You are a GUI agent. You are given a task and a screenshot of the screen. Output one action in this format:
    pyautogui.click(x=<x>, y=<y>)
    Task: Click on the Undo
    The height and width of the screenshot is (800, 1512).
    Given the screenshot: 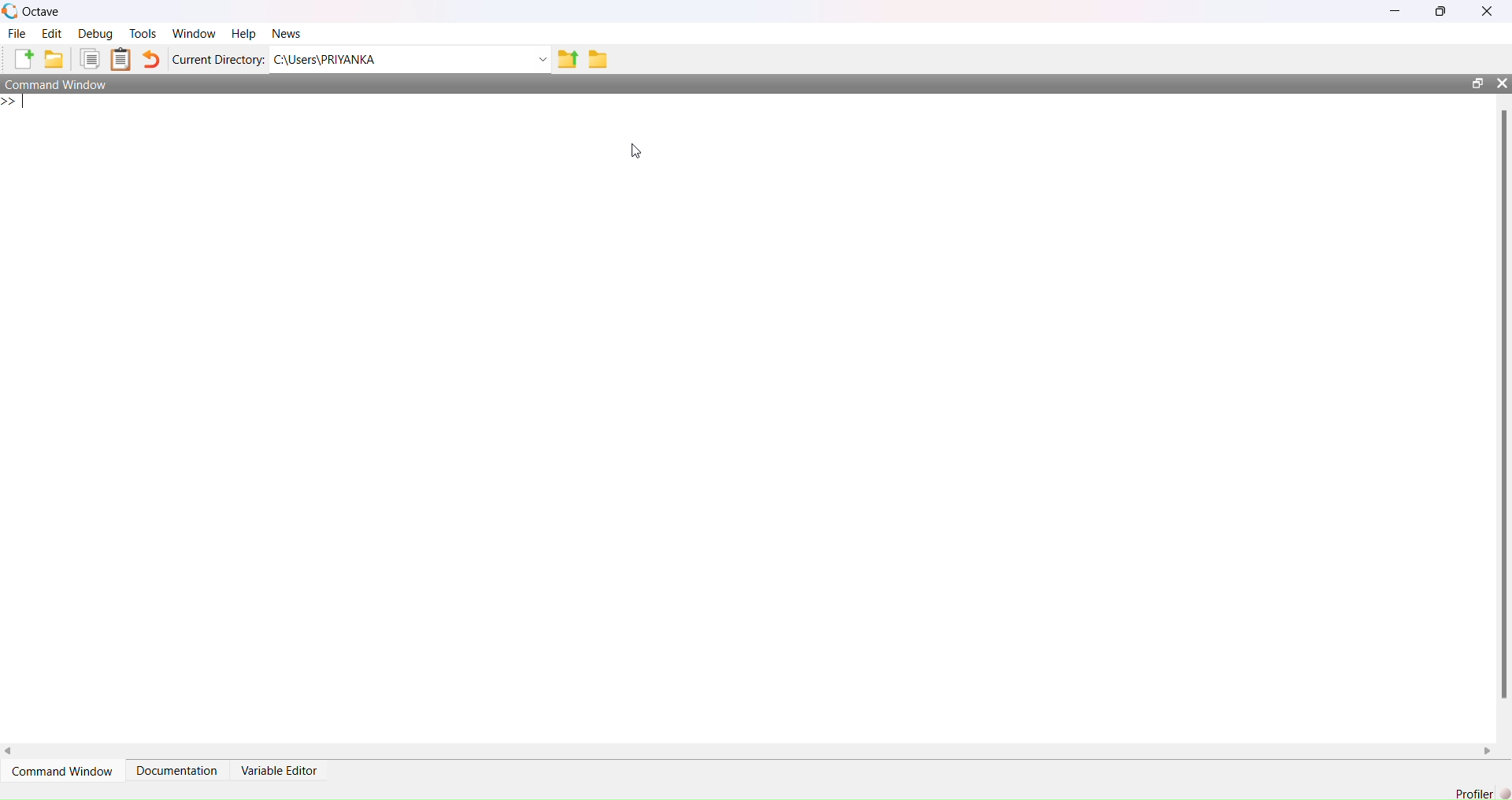 What is the action you would take?
    pyautogui.click(x=152, y=58)
    